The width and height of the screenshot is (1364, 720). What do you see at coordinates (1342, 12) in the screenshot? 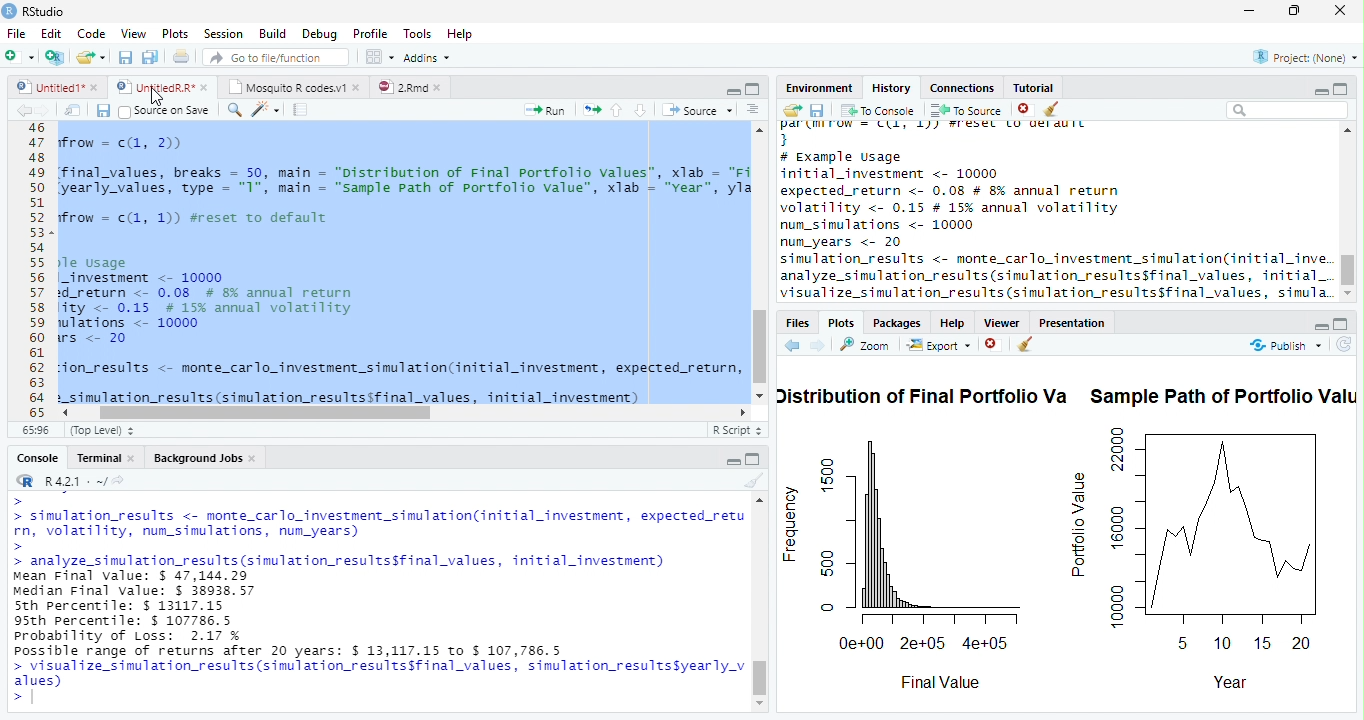
I see `Close` at bounding box center [1342, 12].